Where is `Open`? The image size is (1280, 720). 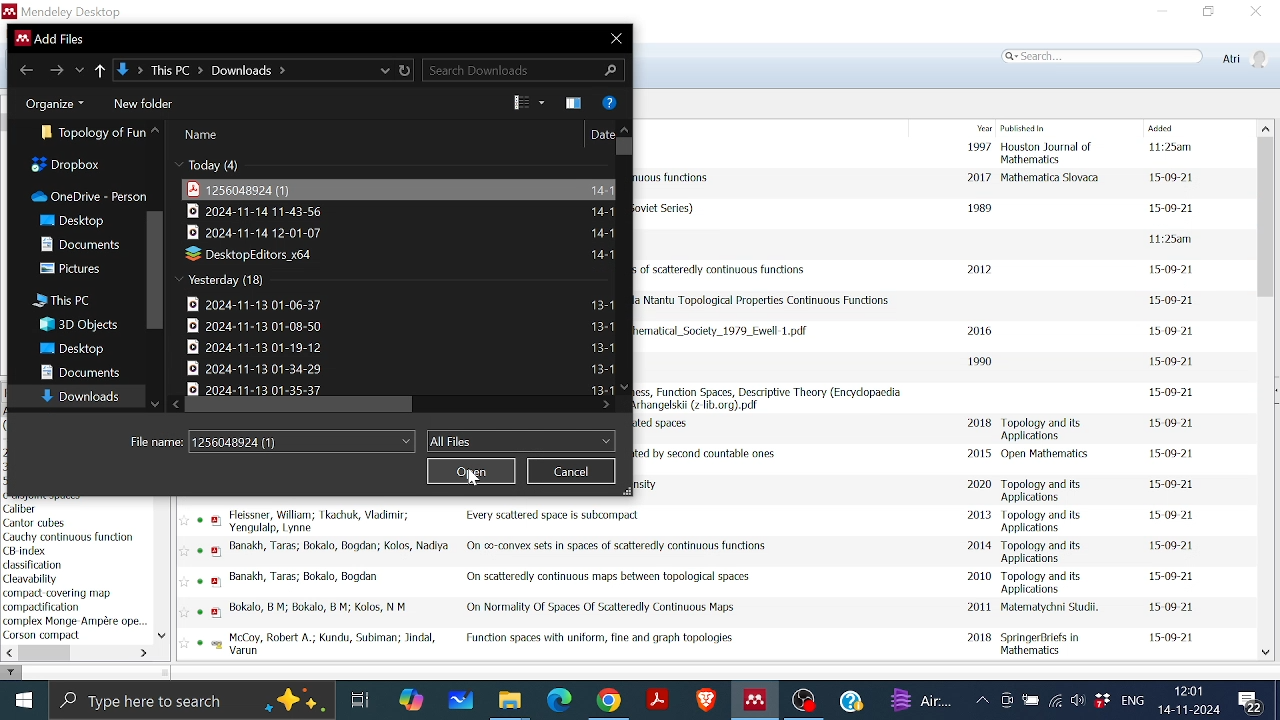
Open is located at coordinates (471, 470).